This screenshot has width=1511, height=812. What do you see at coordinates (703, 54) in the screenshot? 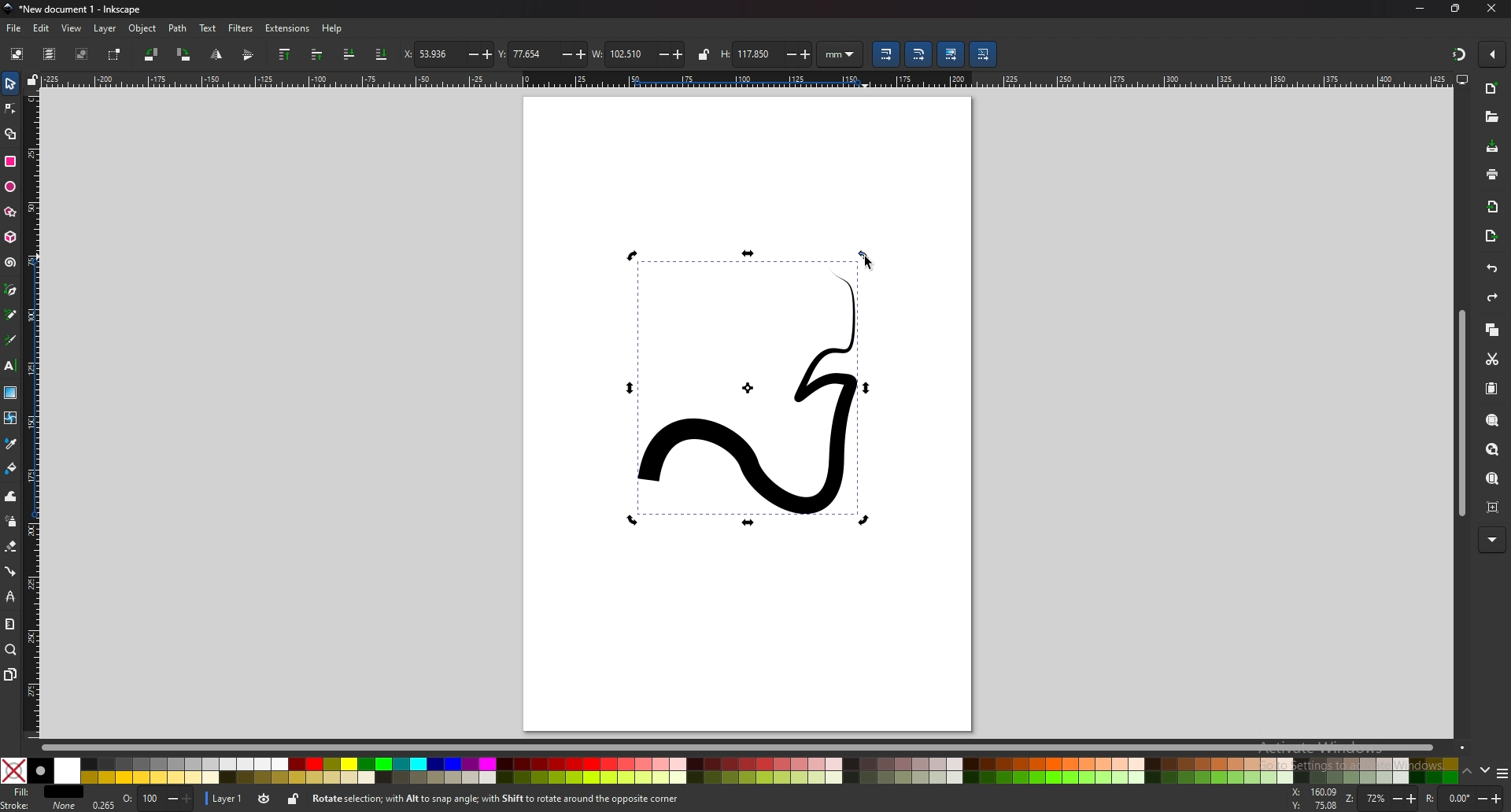
I see `lock` at bounding box center [703, 54].